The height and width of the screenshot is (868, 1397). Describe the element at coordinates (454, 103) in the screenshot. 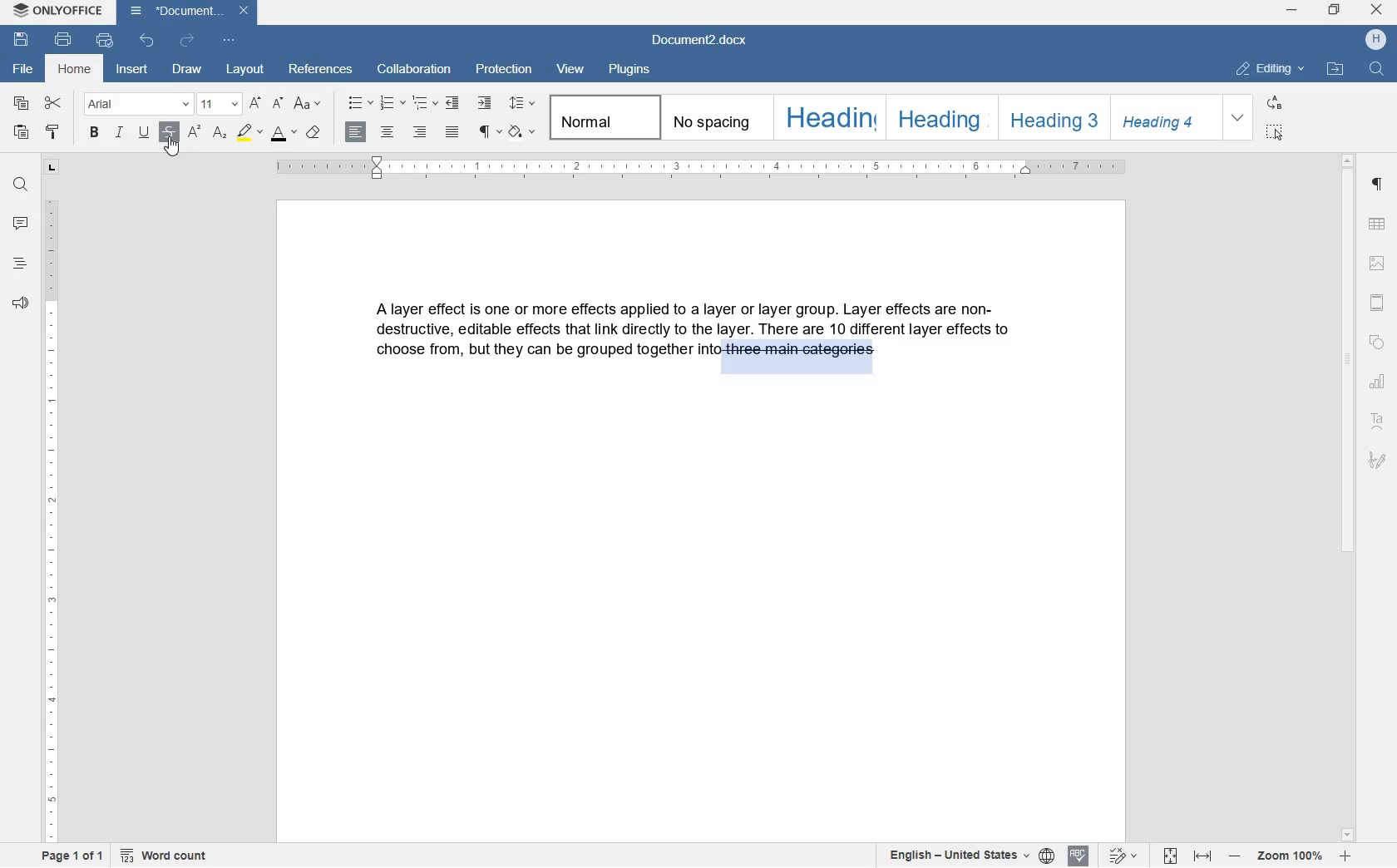

I see `decrease indent` at that location.